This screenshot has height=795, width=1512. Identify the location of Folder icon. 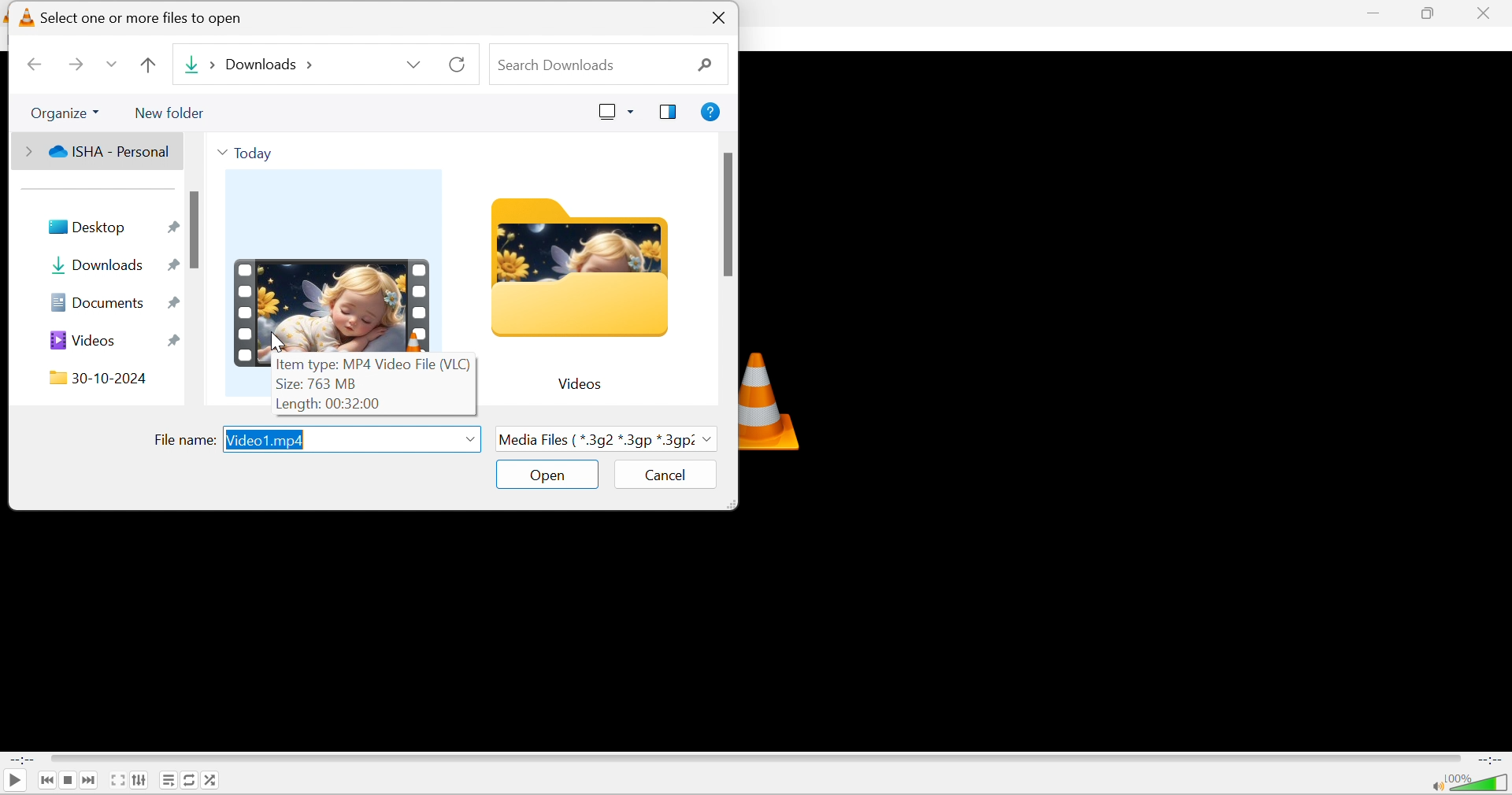
(584, 268).